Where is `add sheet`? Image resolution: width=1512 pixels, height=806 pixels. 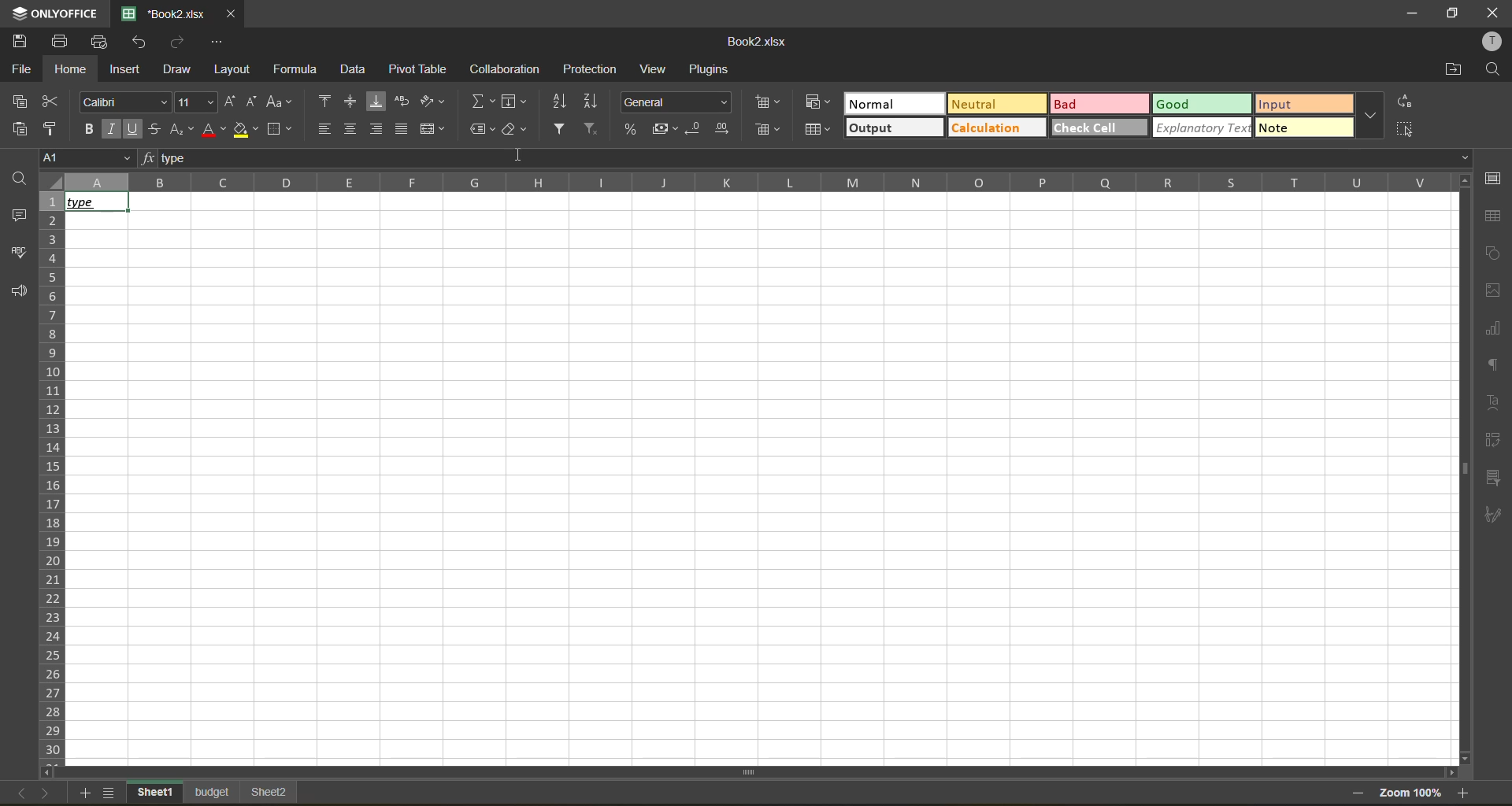 add sheet is located at coordinates (88, 794).